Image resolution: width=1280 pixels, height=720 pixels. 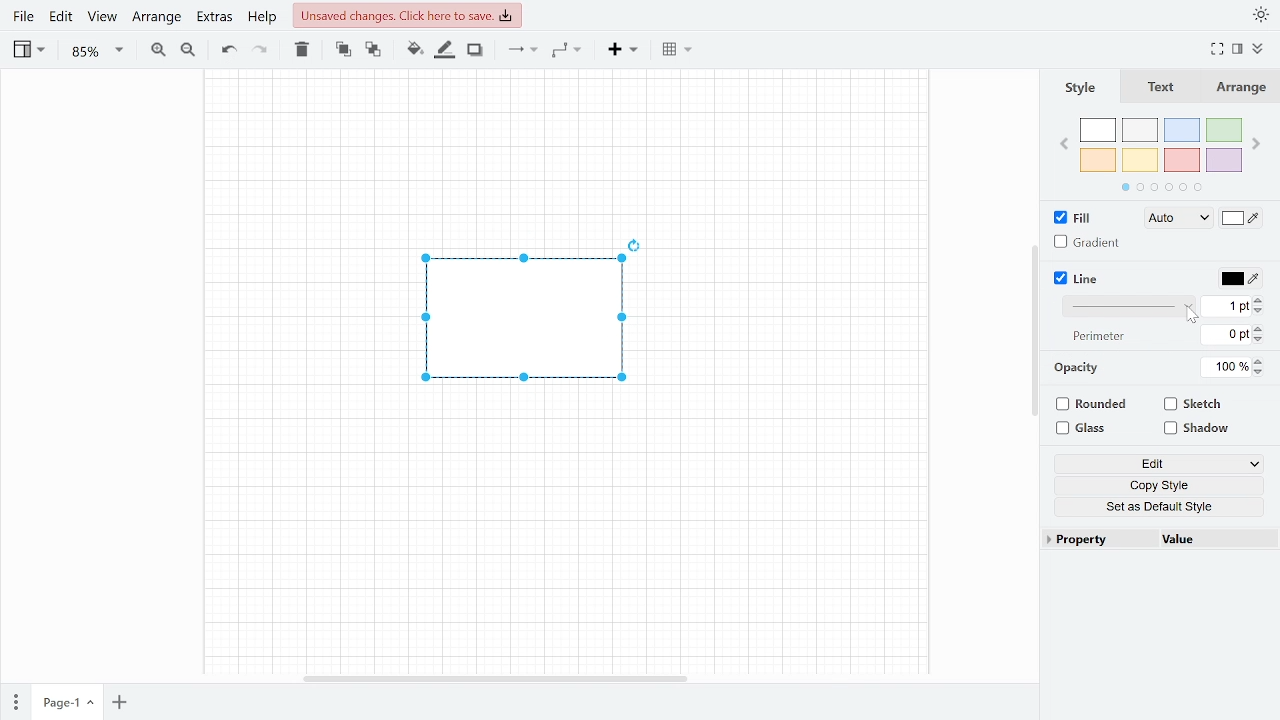 What do you see at coordinates (14, 702) in the screenshot?
I see `Pages` at bounding box center [14, 702].